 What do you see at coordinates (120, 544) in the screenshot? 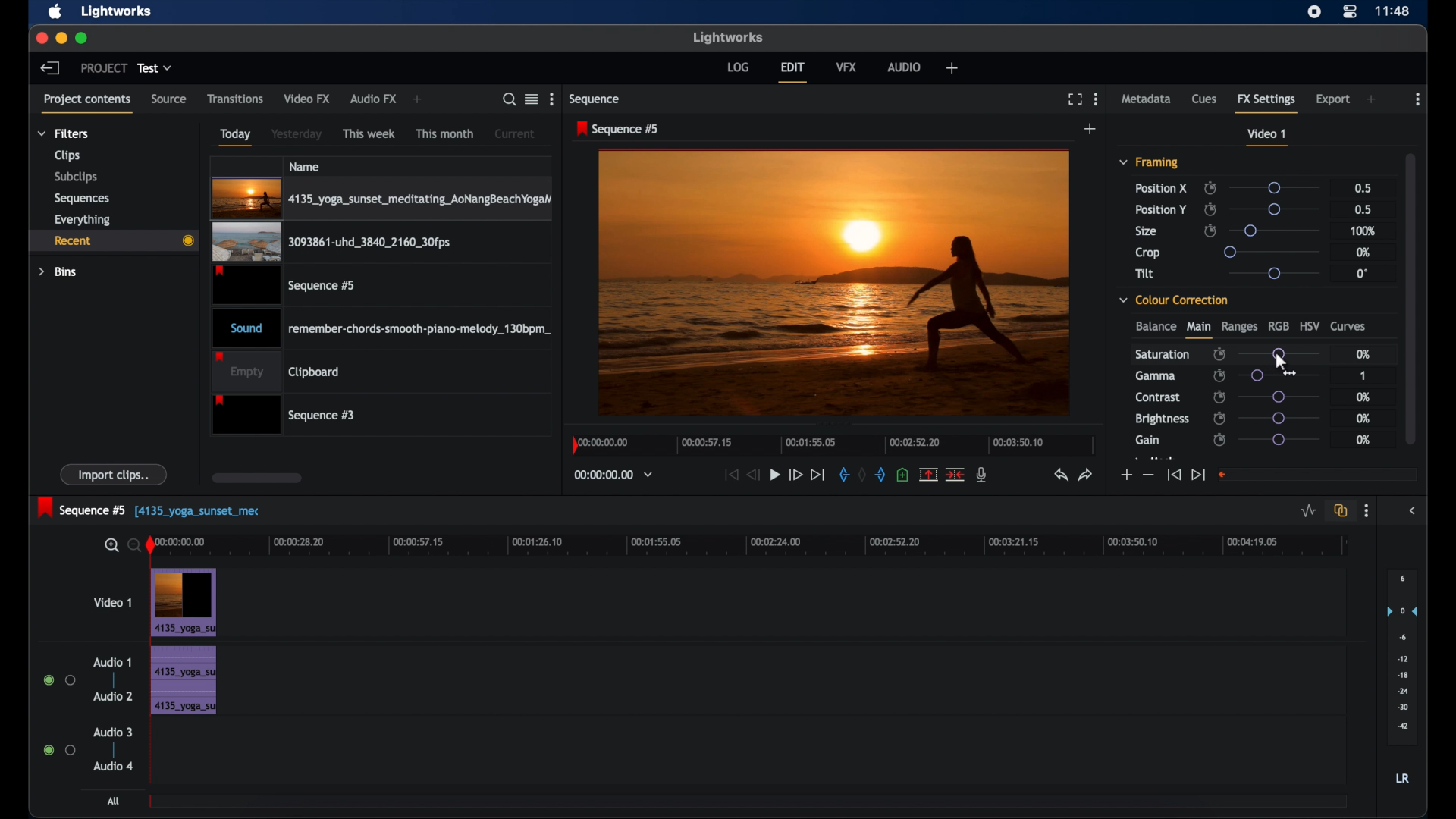
I see `zoom` at bounding box center [120, 544].